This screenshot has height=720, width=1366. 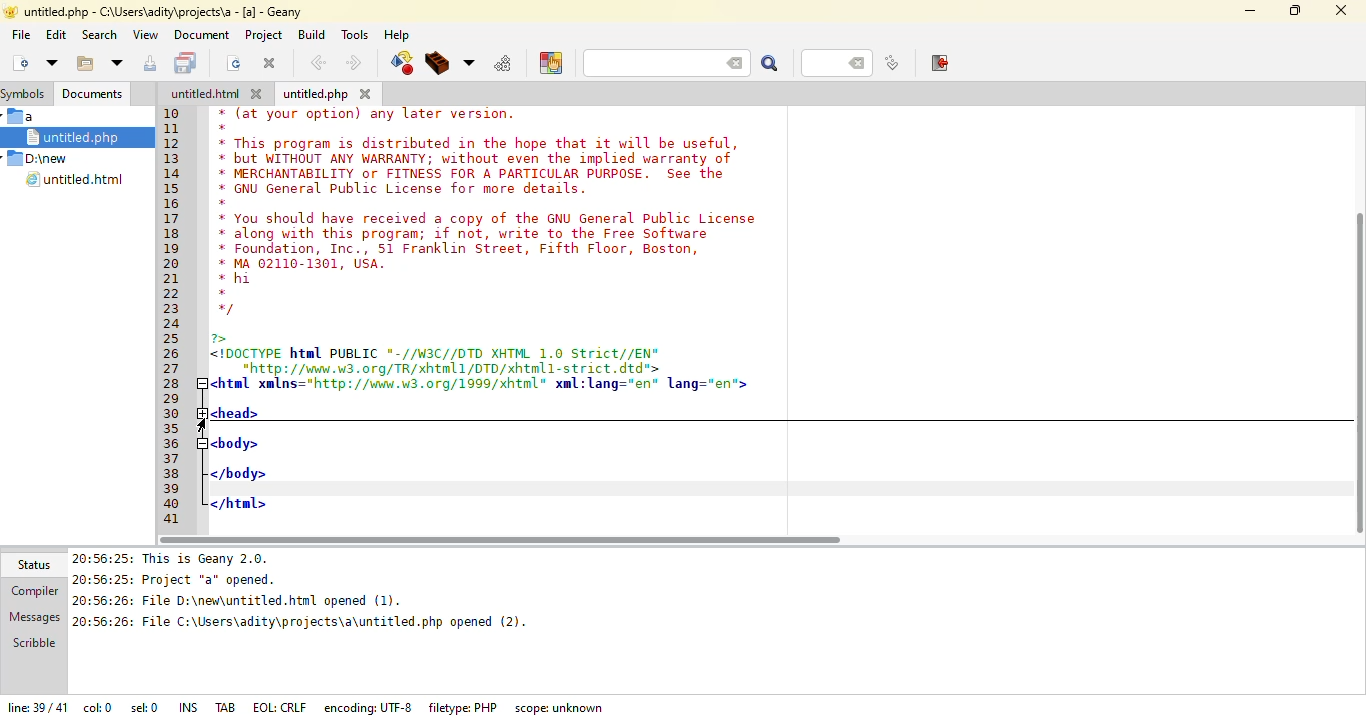 I want to click on untitled.html, so click(x=78, y=180).